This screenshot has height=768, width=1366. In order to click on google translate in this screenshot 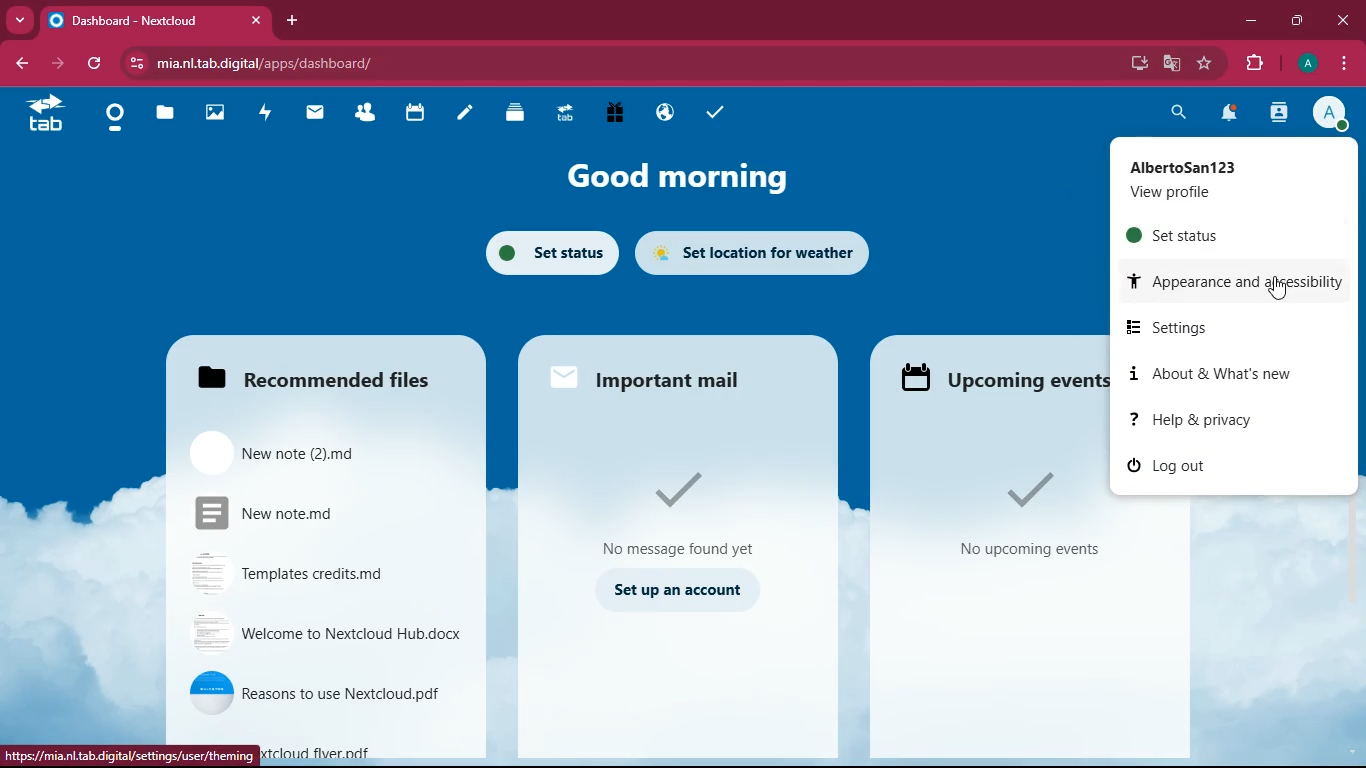, I will do `click(1170, 64)`.